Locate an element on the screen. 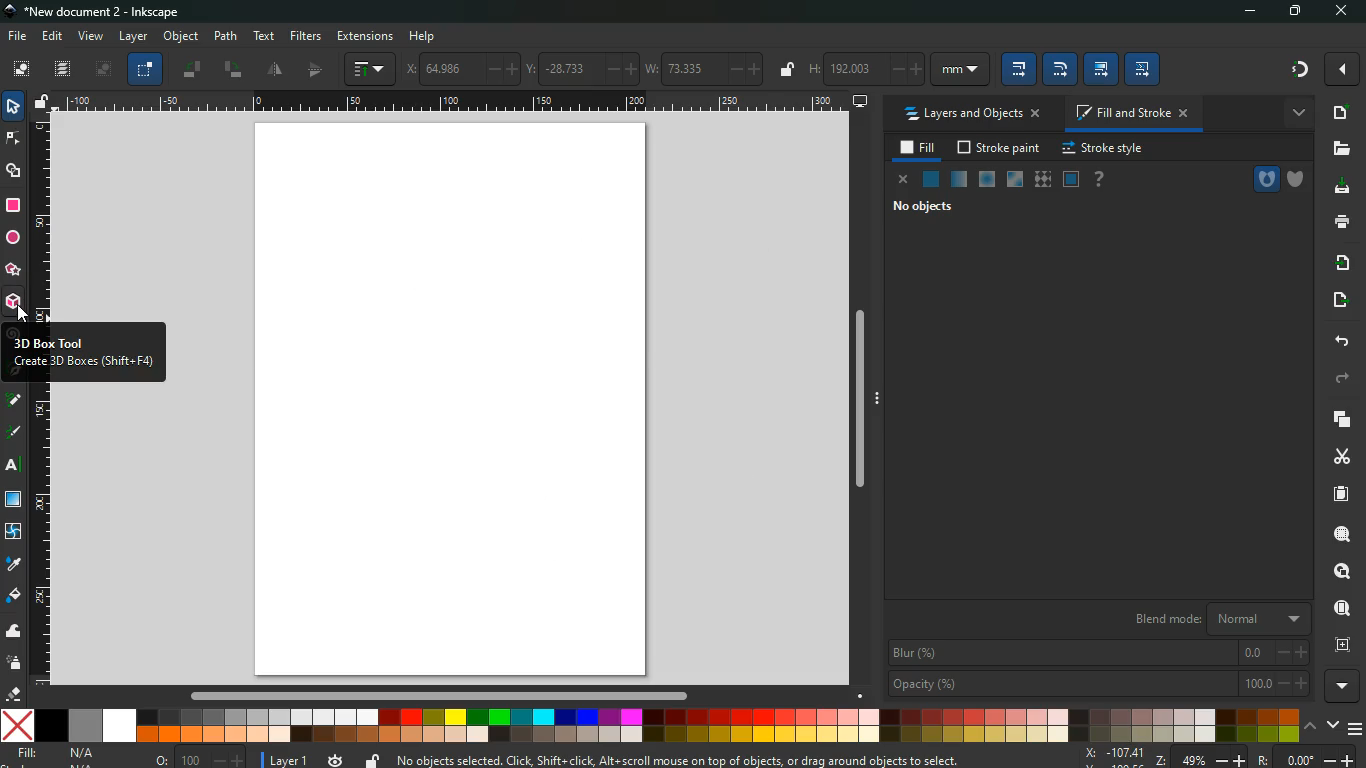  graph is located at coordinates (371, 69).